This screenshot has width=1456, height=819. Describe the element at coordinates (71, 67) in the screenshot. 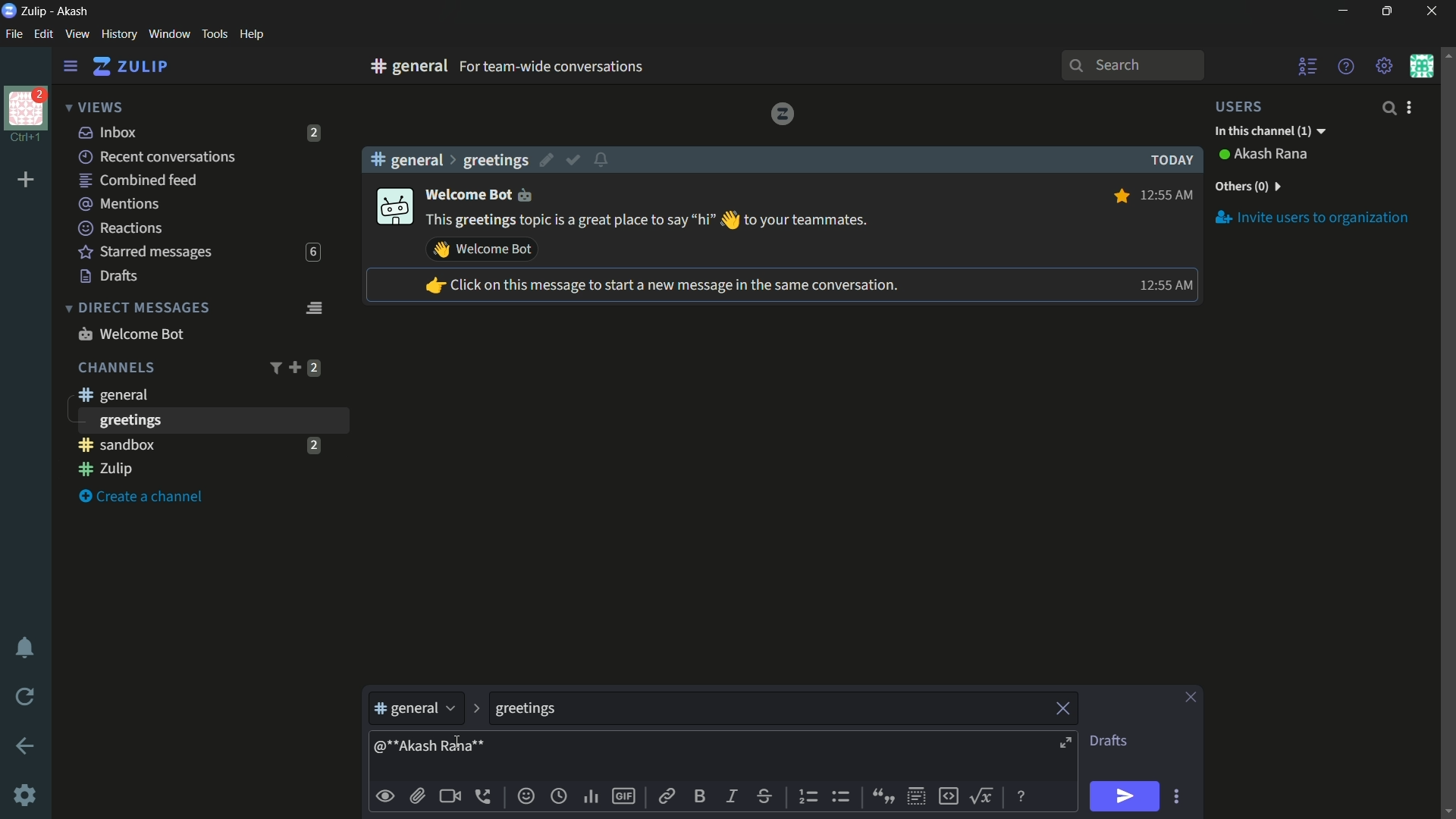

I see `settings` at that location.